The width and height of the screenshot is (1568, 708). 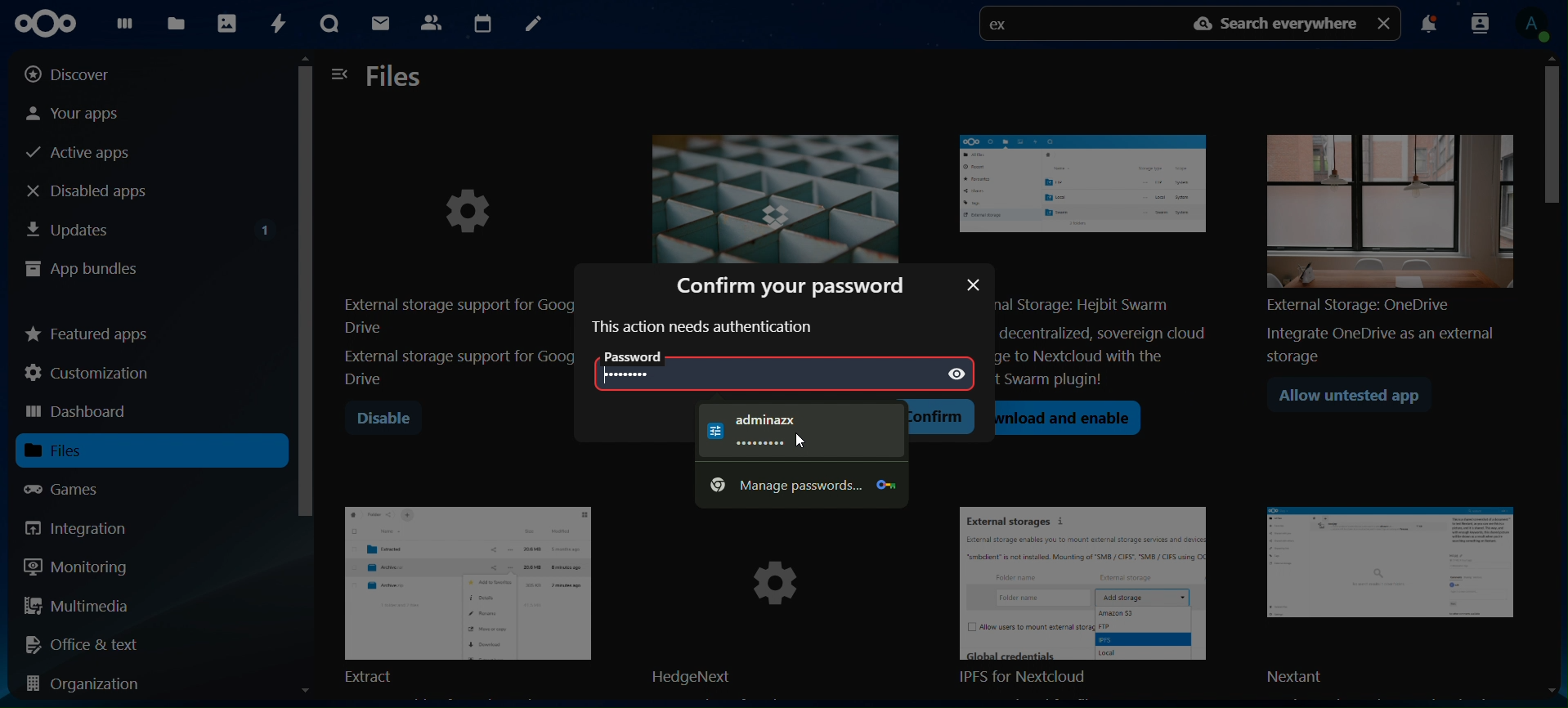 What do you see at coordinates (78, 608) in the screenshot?
I see `multimedia` at bounding box center [78, 608].